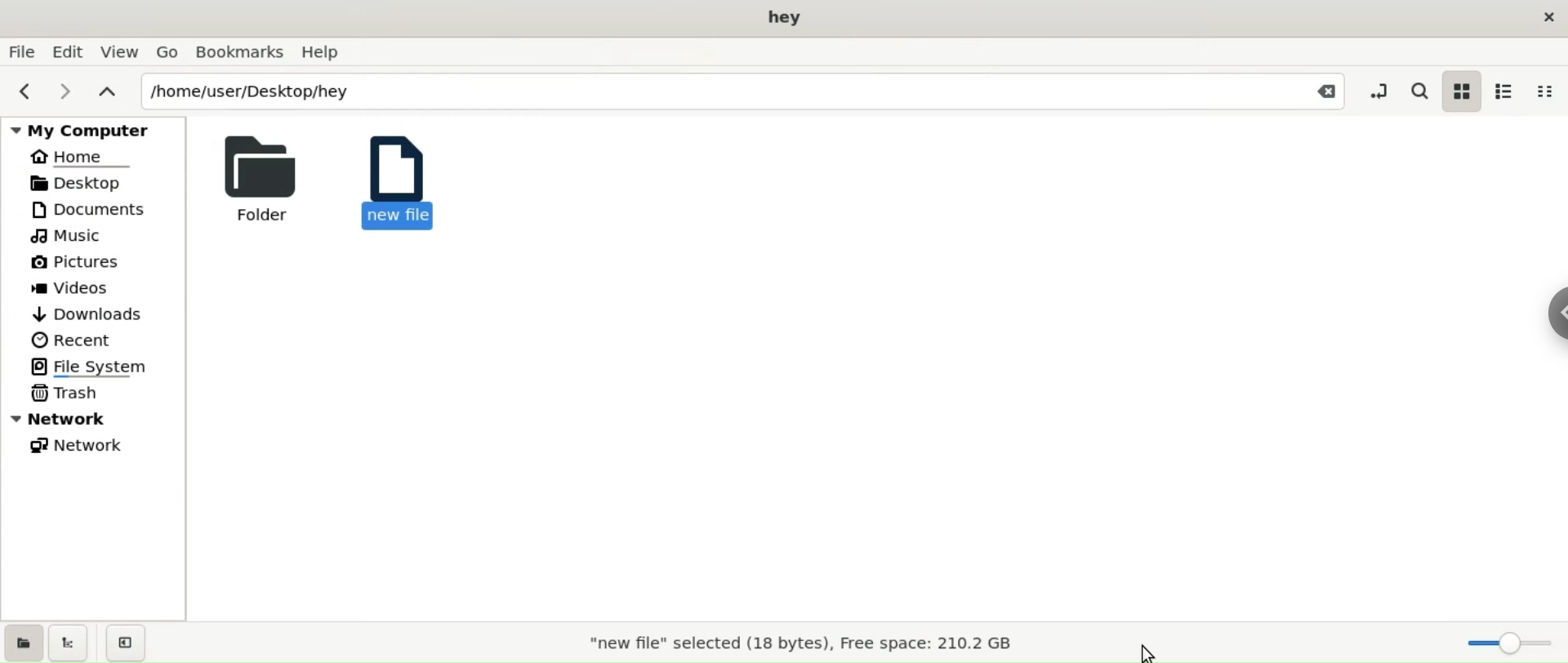 The image size is (1568, 663). I want to click on compact view, so click(1547, 87).